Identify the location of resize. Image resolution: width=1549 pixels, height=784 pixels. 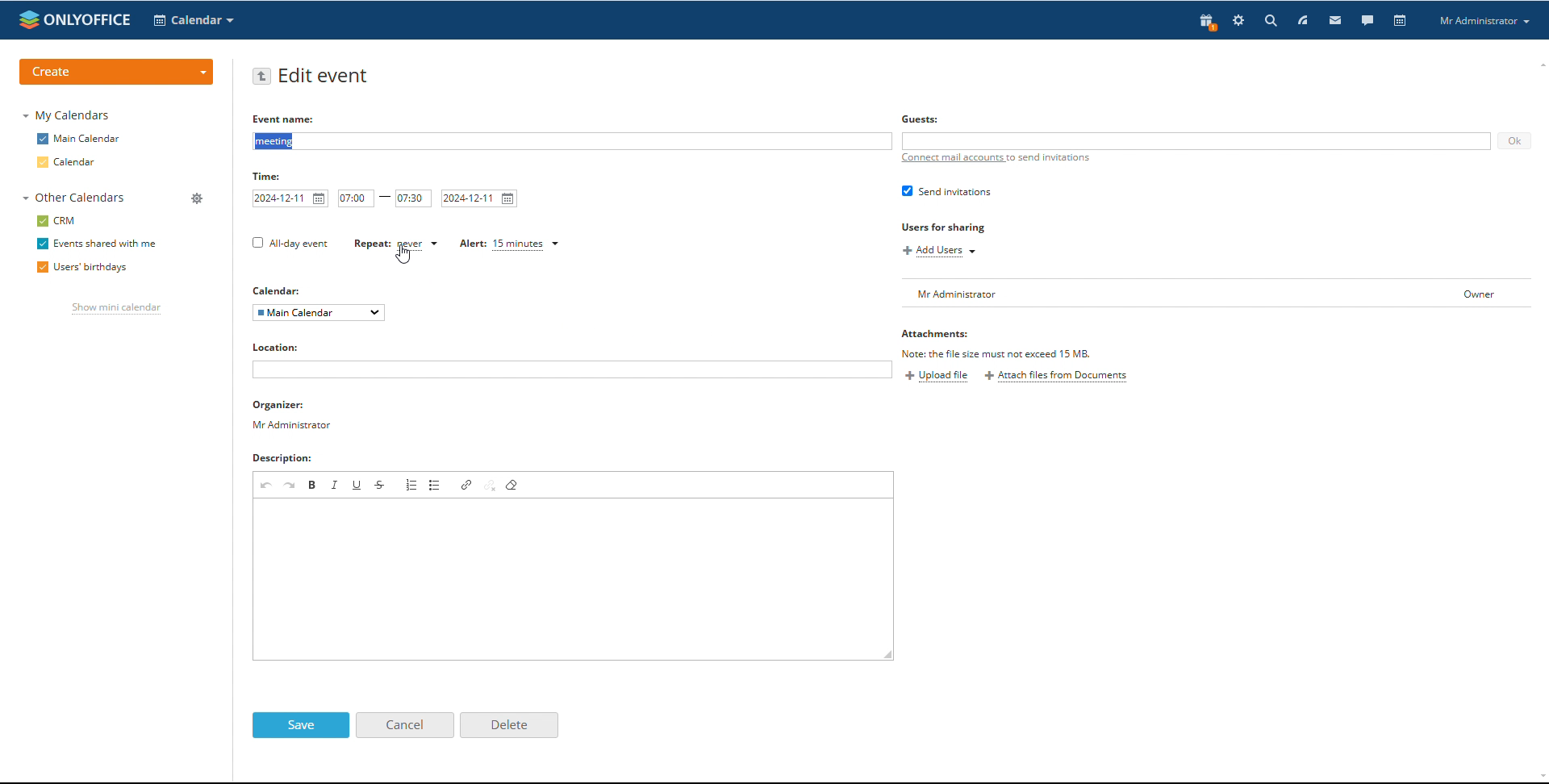
(889, 655).